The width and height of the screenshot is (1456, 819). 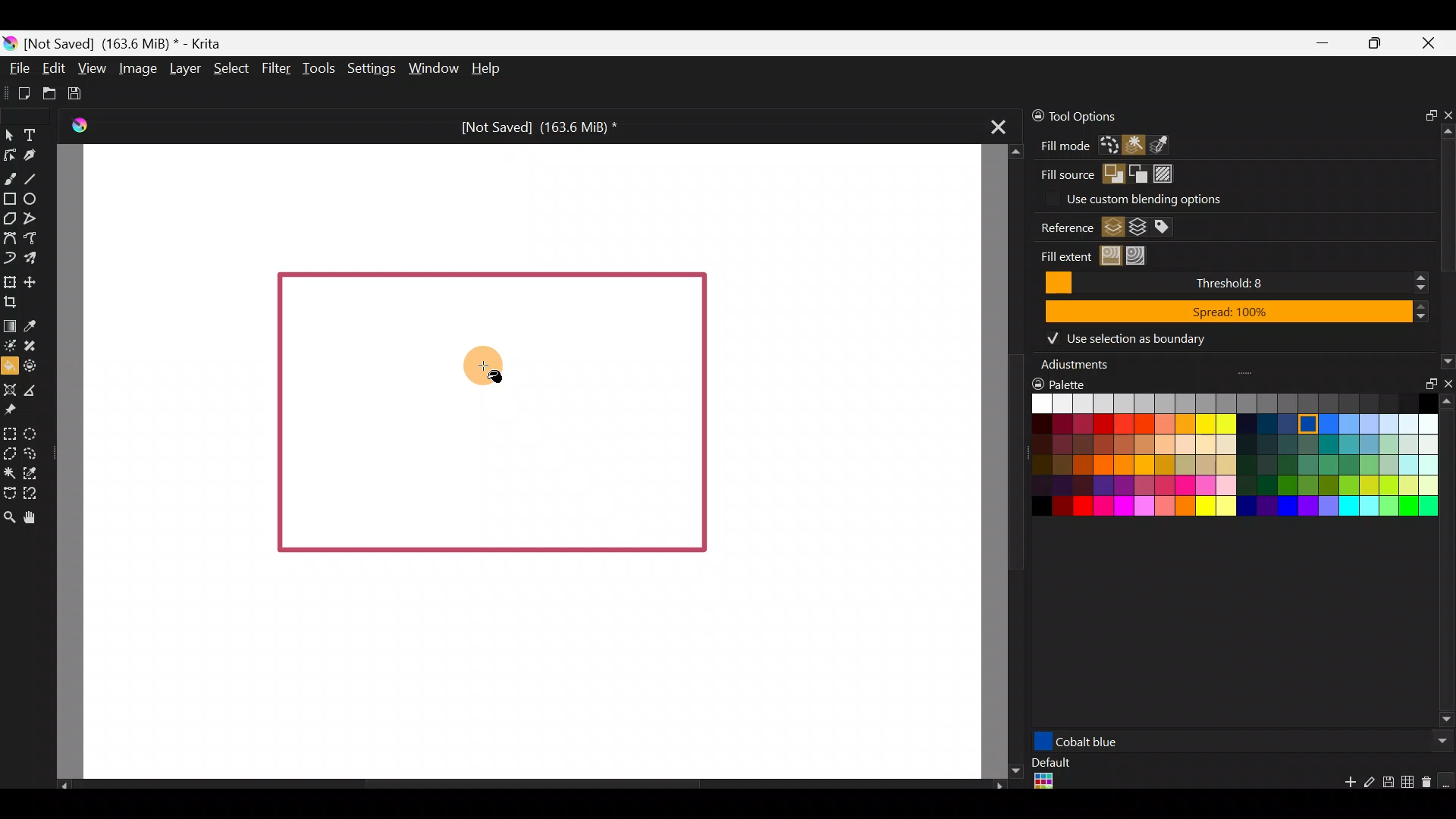 I want to click on Edit current palette, so click(x=1410, y=784).